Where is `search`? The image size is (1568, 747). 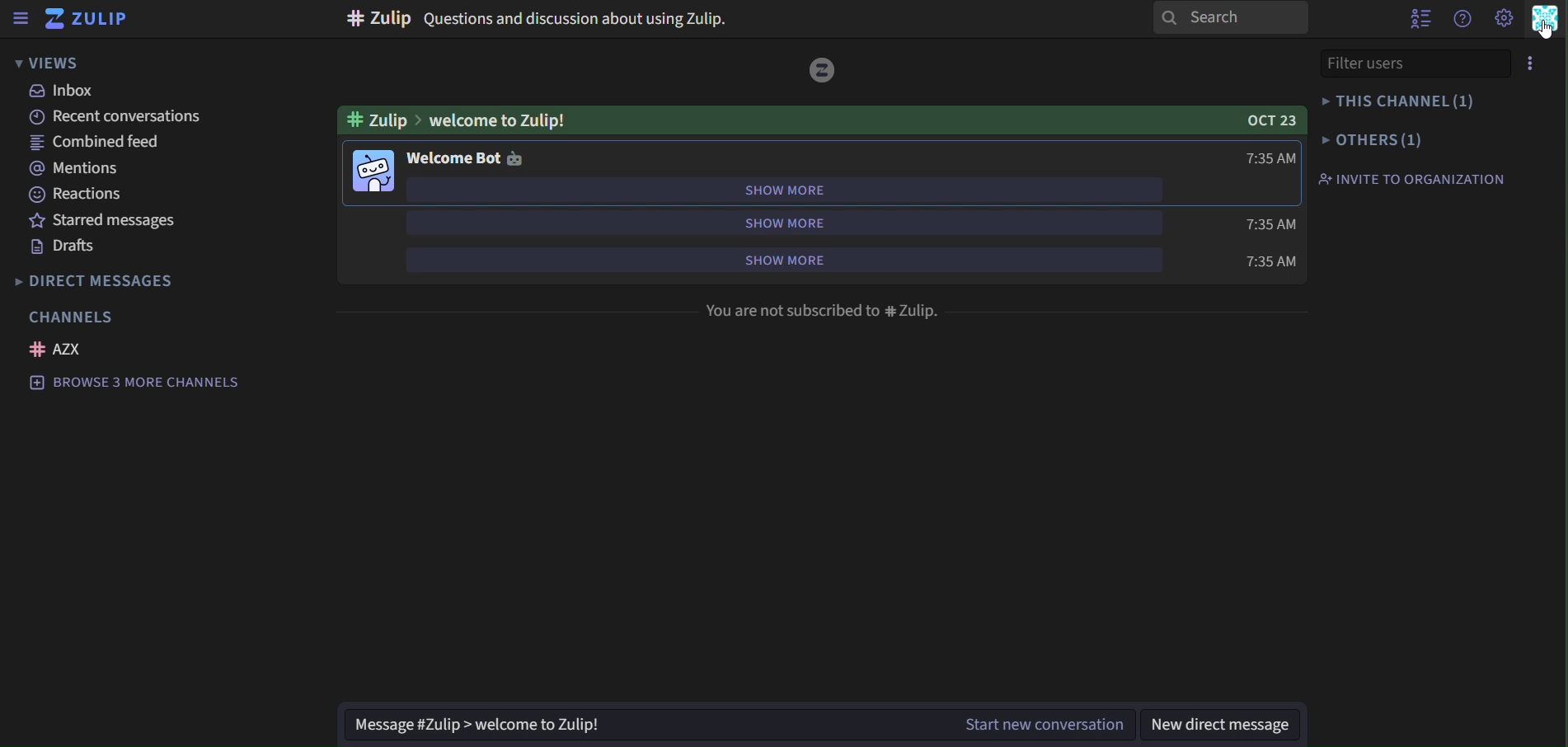
search is located at coordinates (1229, 18).